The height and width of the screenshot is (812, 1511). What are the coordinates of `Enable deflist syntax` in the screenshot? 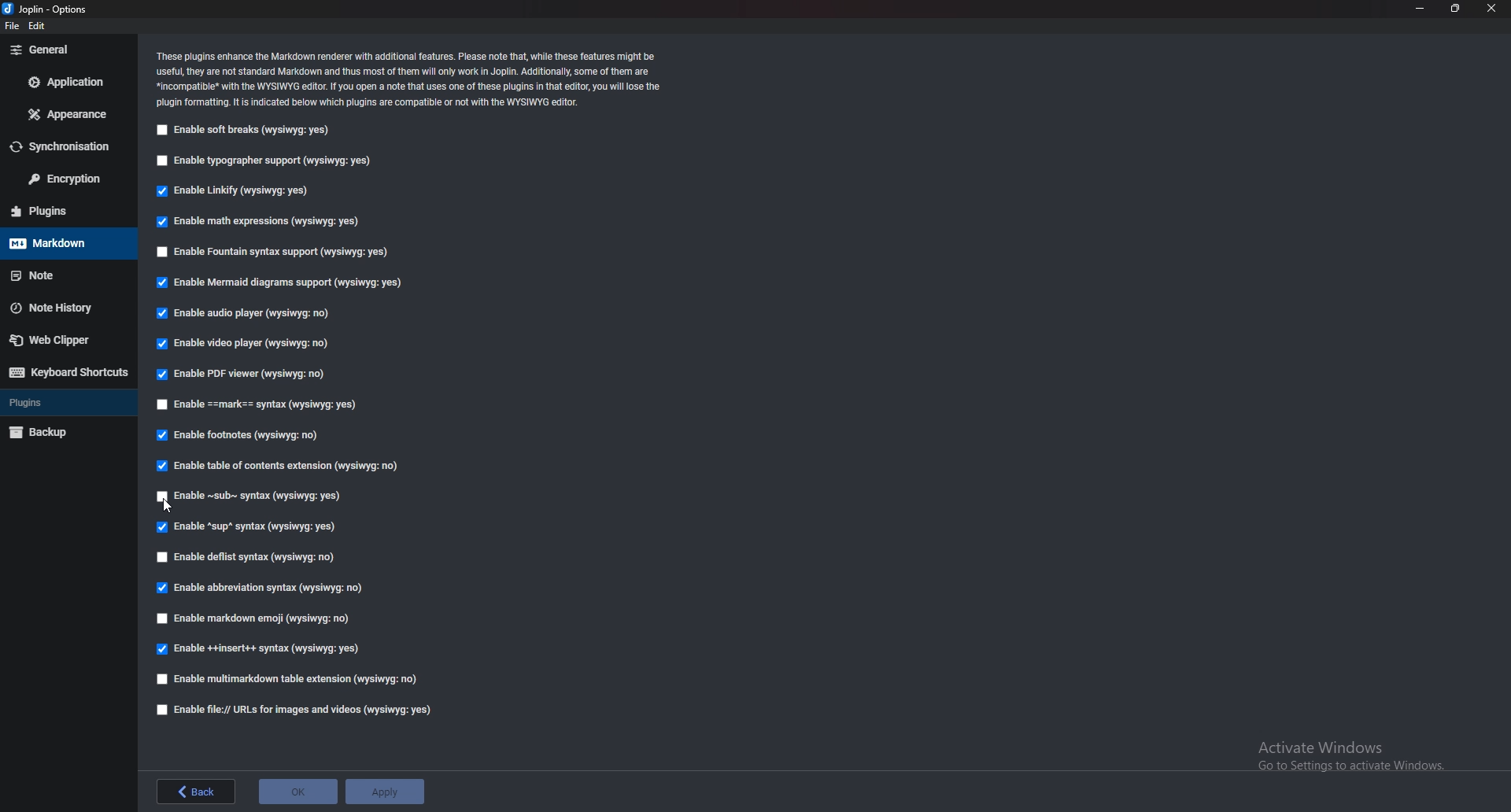 It's located at (248, 556).